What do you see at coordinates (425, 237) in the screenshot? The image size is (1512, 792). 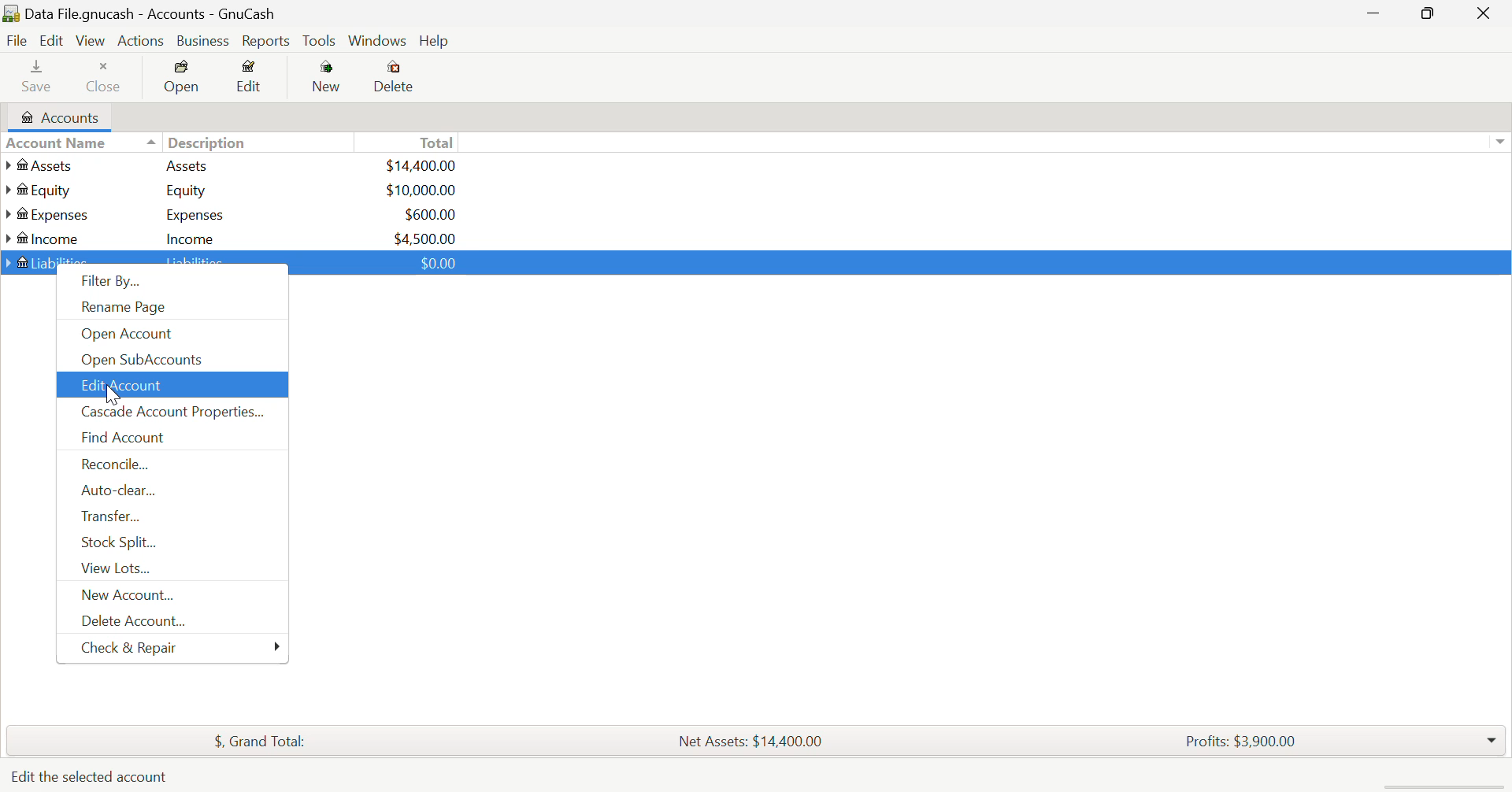 I see `USD` at bounding box center [425, 237].